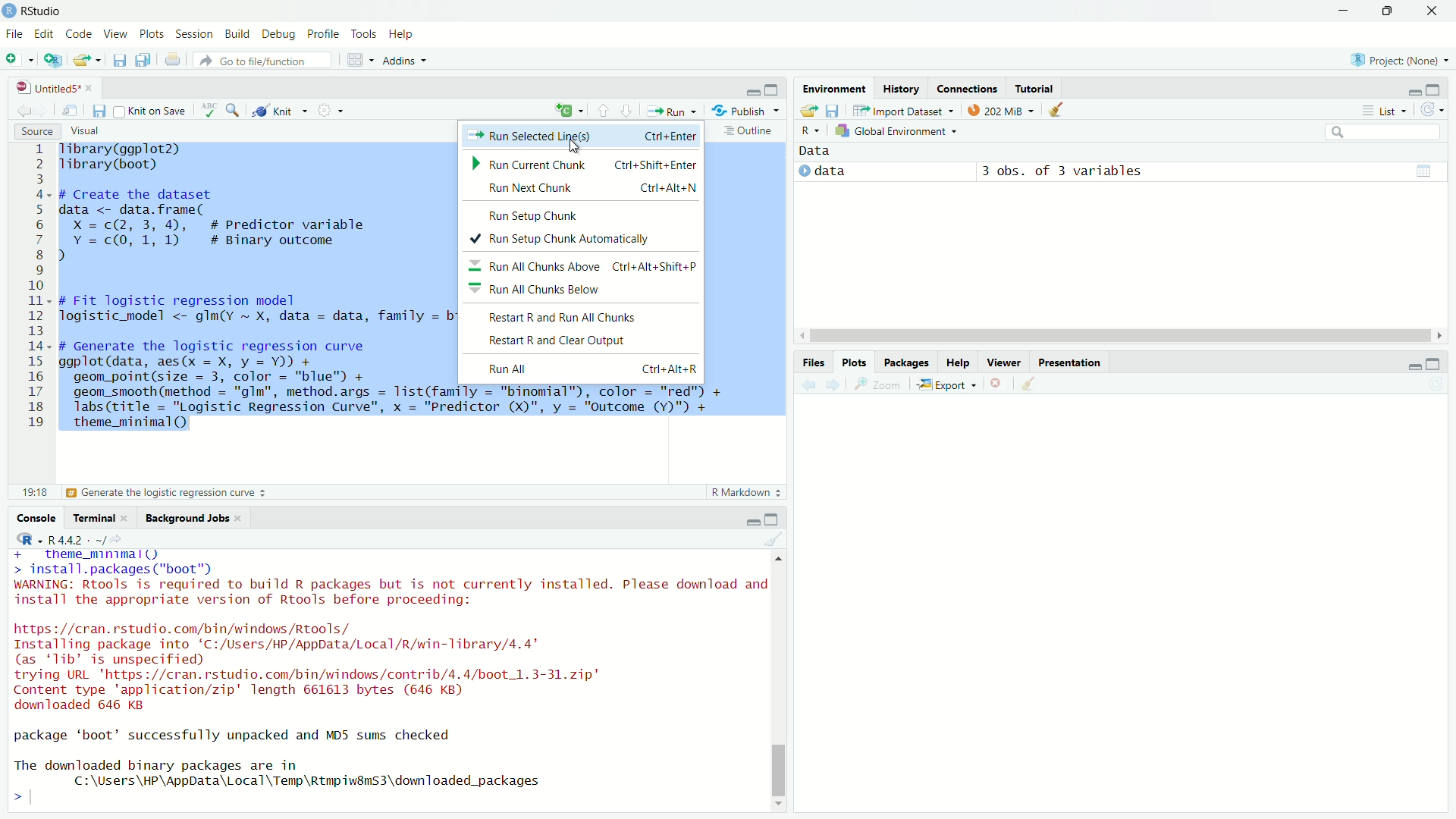 The width and height of the screenshot is (1456, 819). I want to click on Environment, so click(834, 87).